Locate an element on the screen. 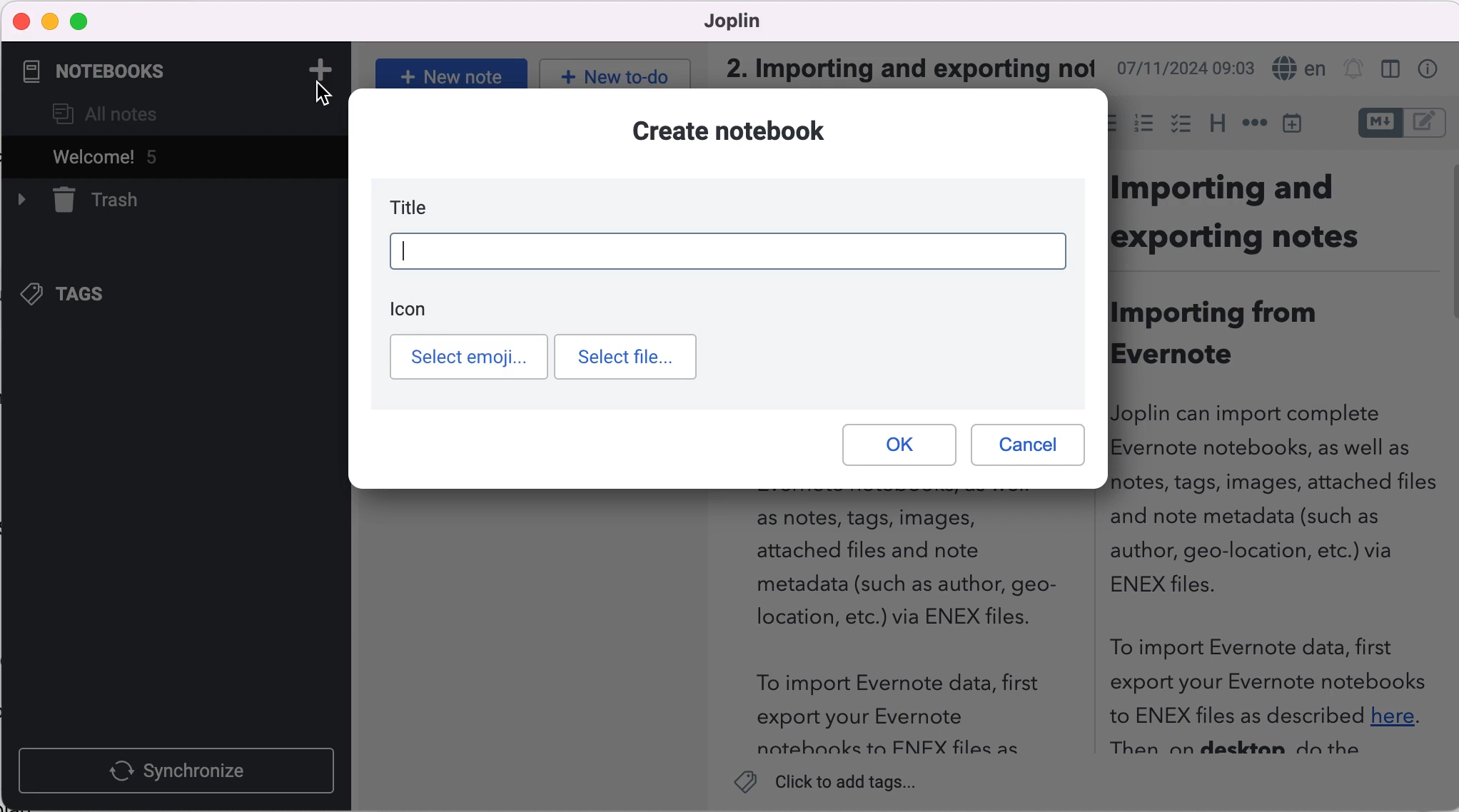 The image size is (1459, 812). weekly planner t is located at coordinates (468, 251).